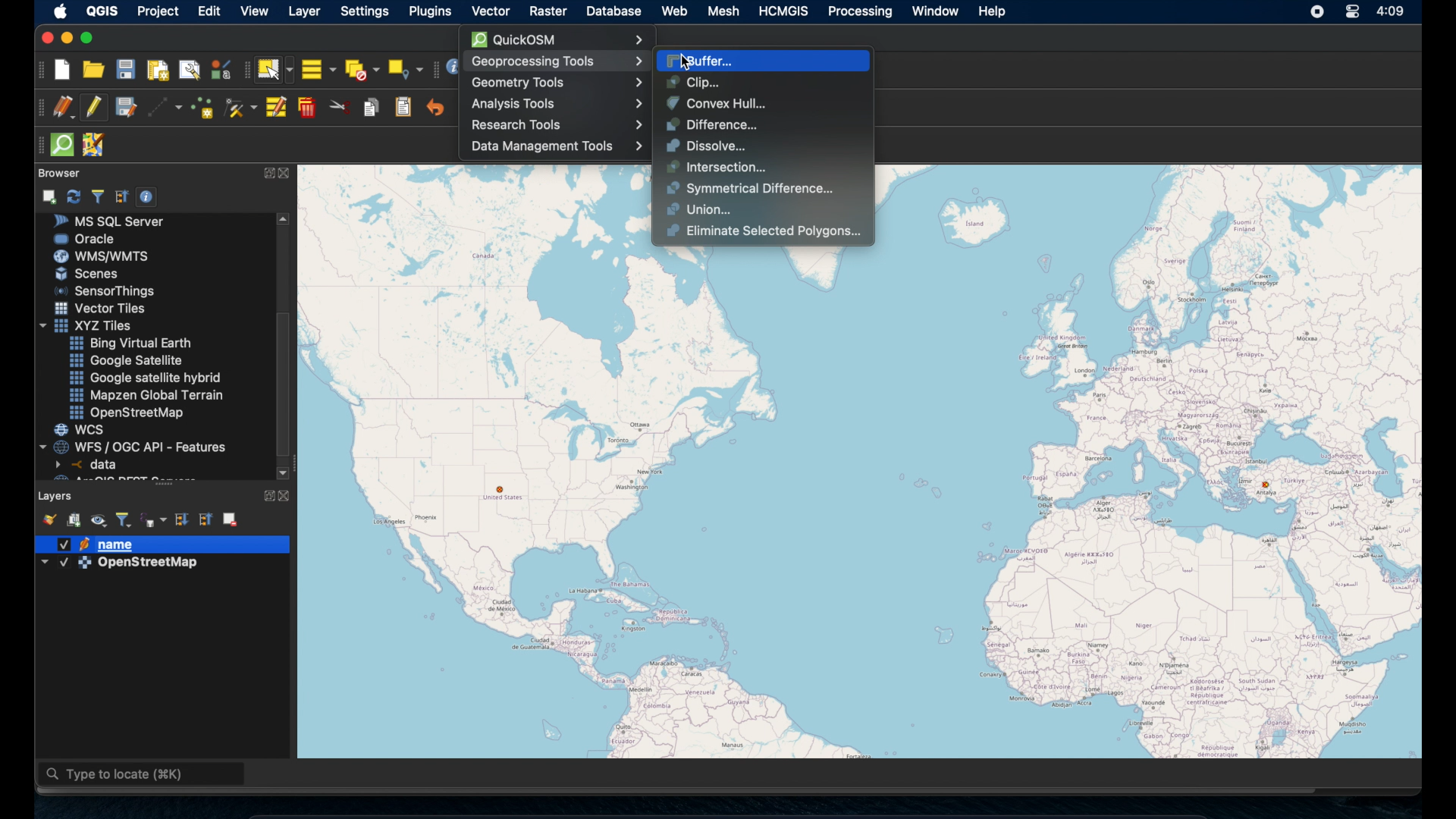 Image resolution: width=1456 pixels, height=819 pixels. What do you see at coordinates (124, 518) in the screenshot?
I see `filter legend` at bounding box center [124, 518].